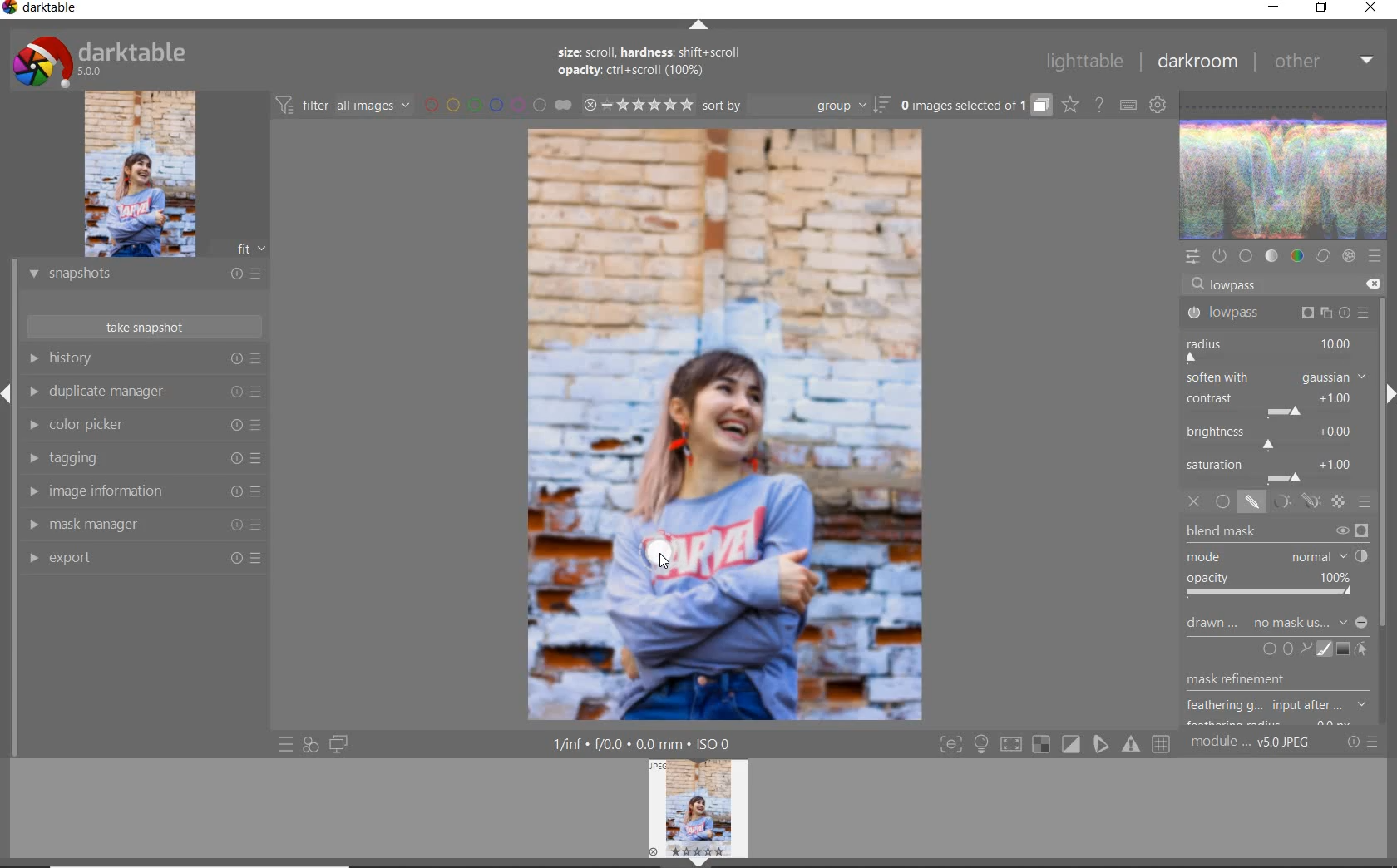 This screenshot has height=868, width=1397. Describe the element at coordinates (143, 328) in the screenshot. I see `take snapshots` at that location.